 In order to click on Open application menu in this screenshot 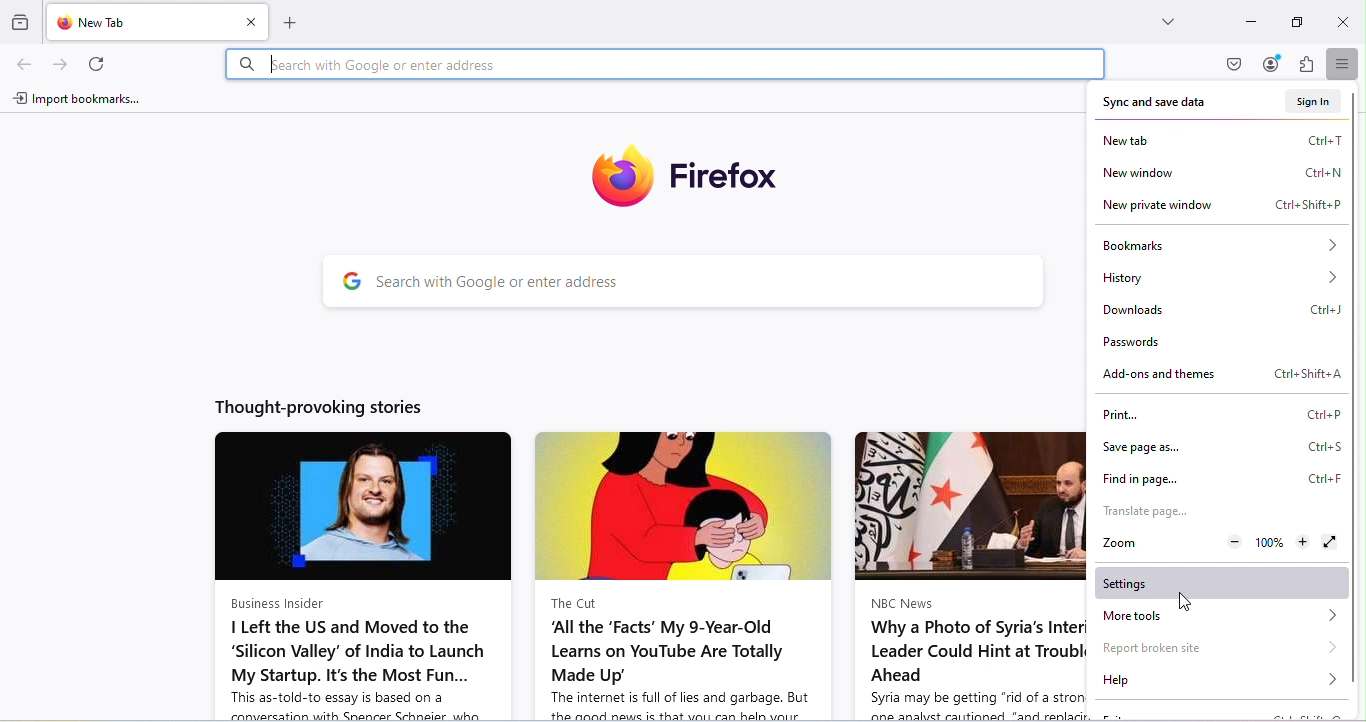, I will do `click(1340, 64)`.